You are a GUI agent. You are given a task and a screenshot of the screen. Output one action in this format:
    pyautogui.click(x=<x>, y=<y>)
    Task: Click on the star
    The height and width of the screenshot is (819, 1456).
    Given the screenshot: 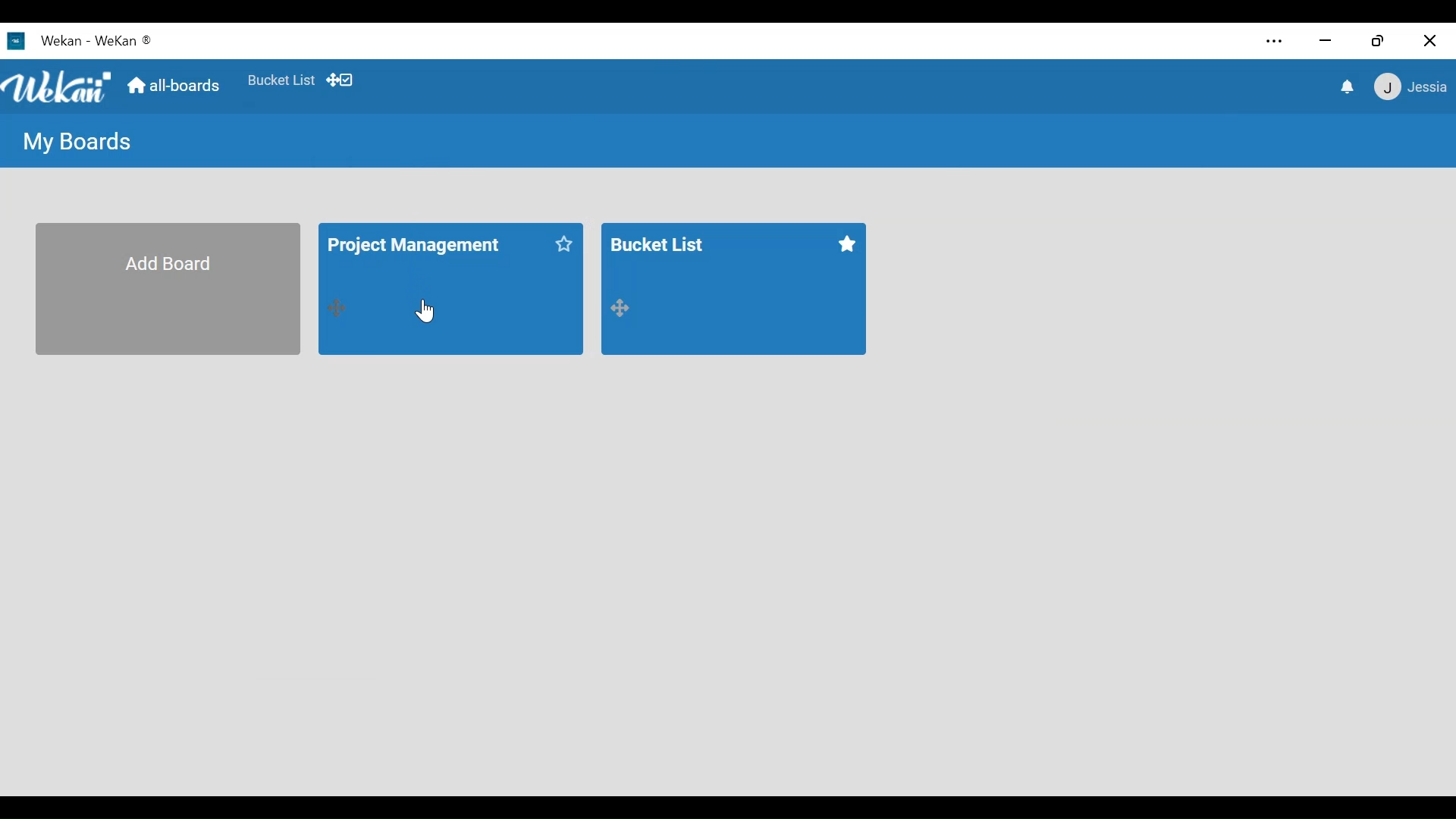 What is the action you would take?
    pyautogui.click(x=564, y=246)
    